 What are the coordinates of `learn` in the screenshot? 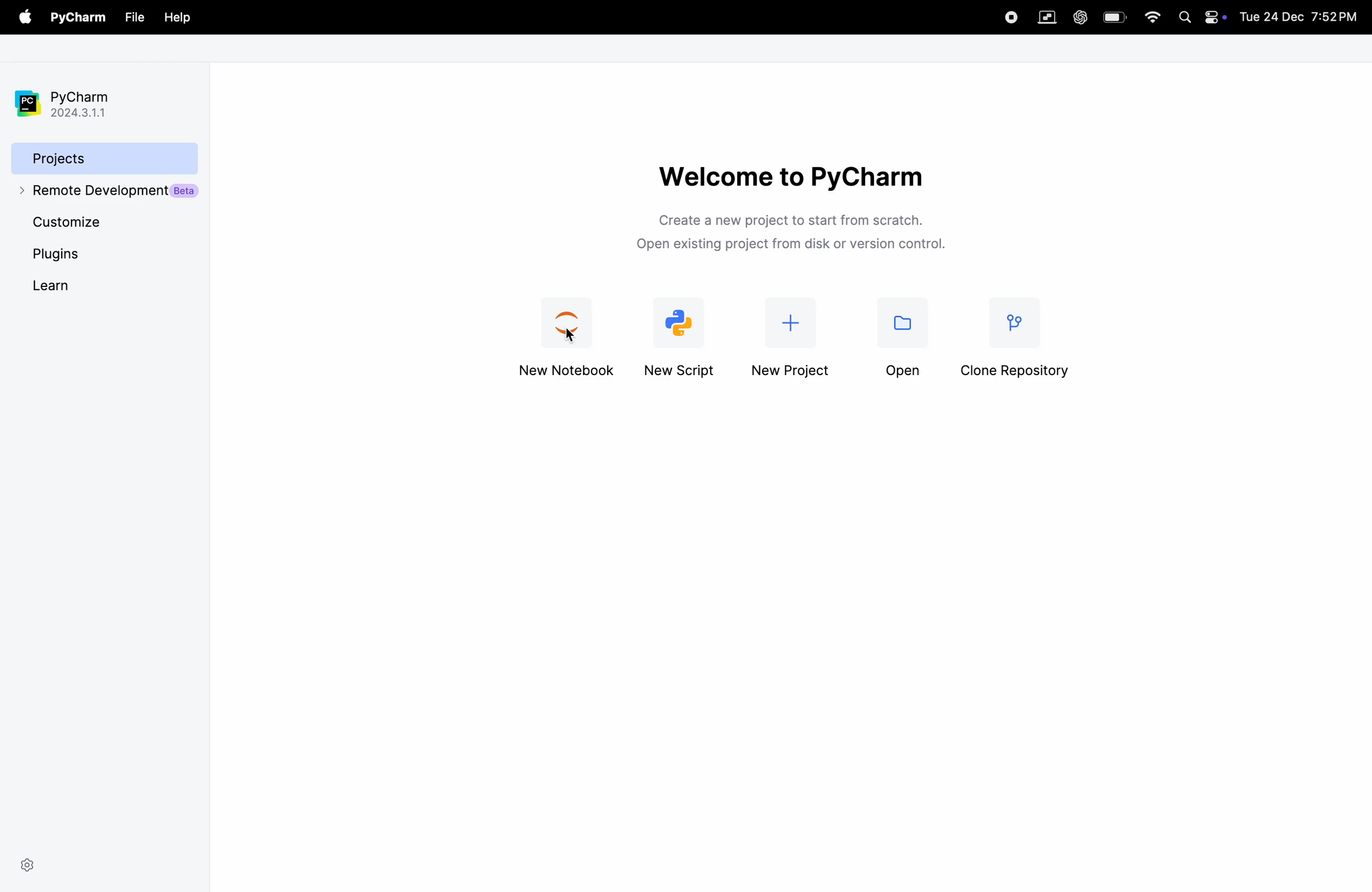 It's located at (56, 285).